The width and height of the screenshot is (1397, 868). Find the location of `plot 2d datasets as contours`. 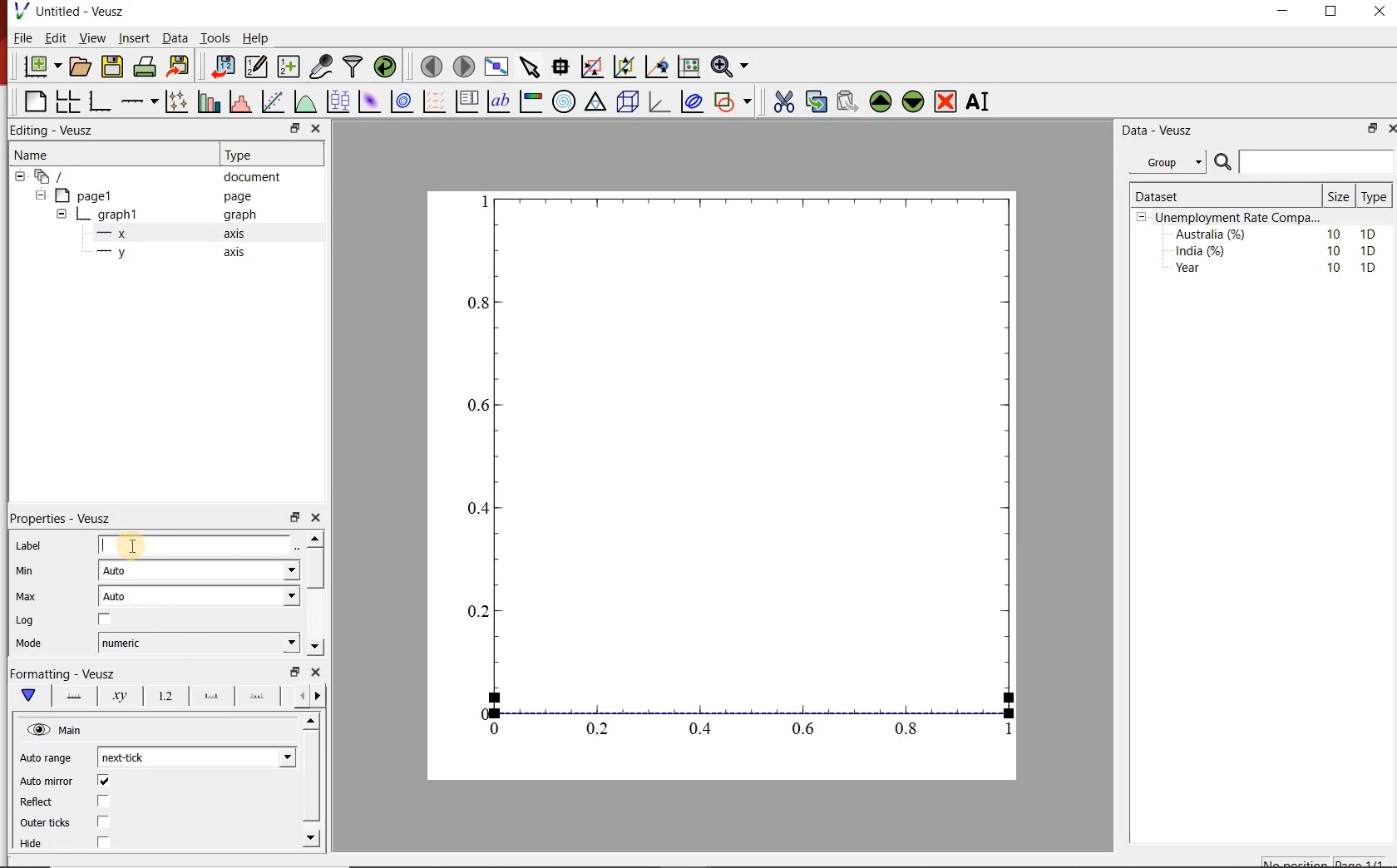

plot 2d datasets as contours is located at coordinates (401, 101).